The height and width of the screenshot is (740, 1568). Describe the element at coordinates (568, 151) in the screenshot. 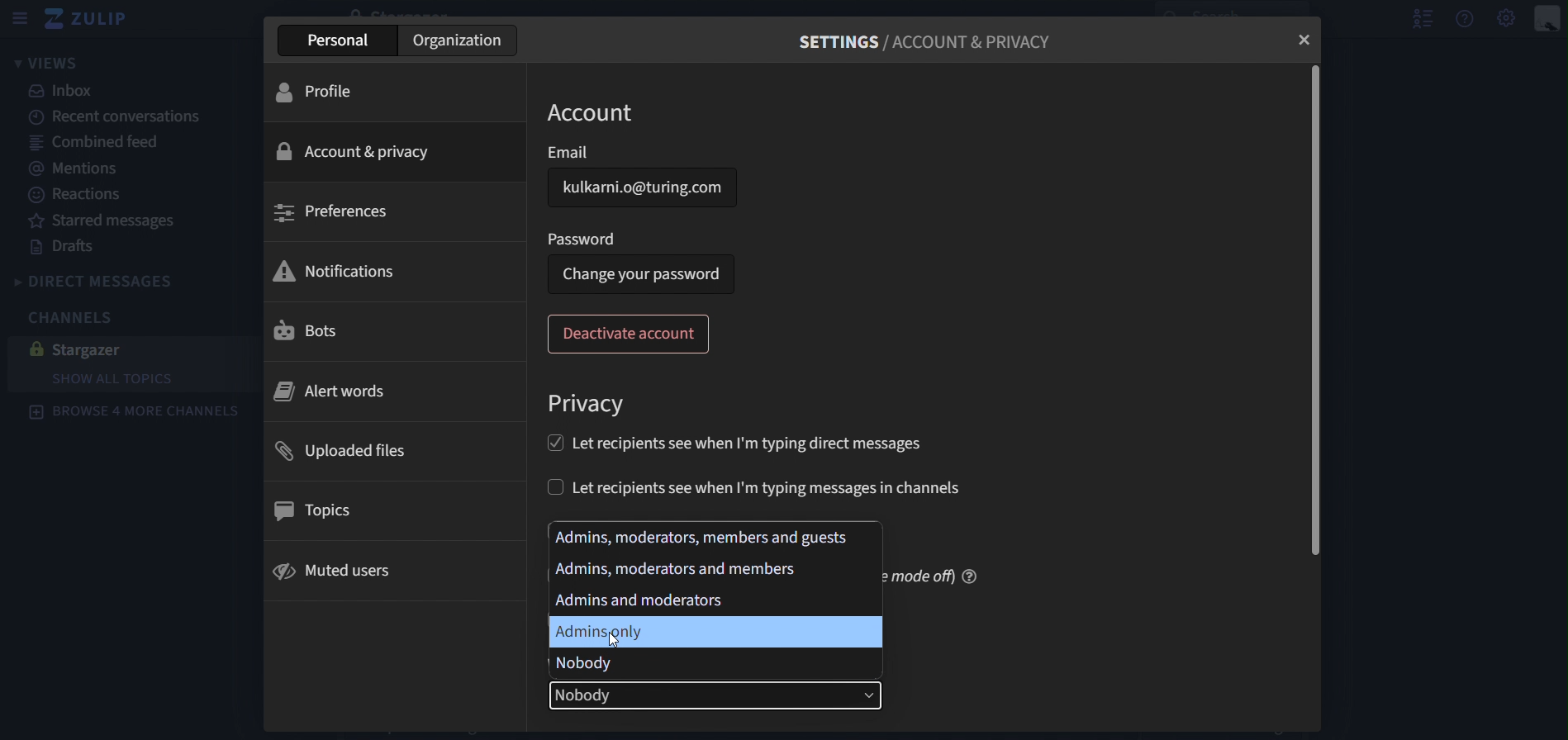

I see `email` at that location.